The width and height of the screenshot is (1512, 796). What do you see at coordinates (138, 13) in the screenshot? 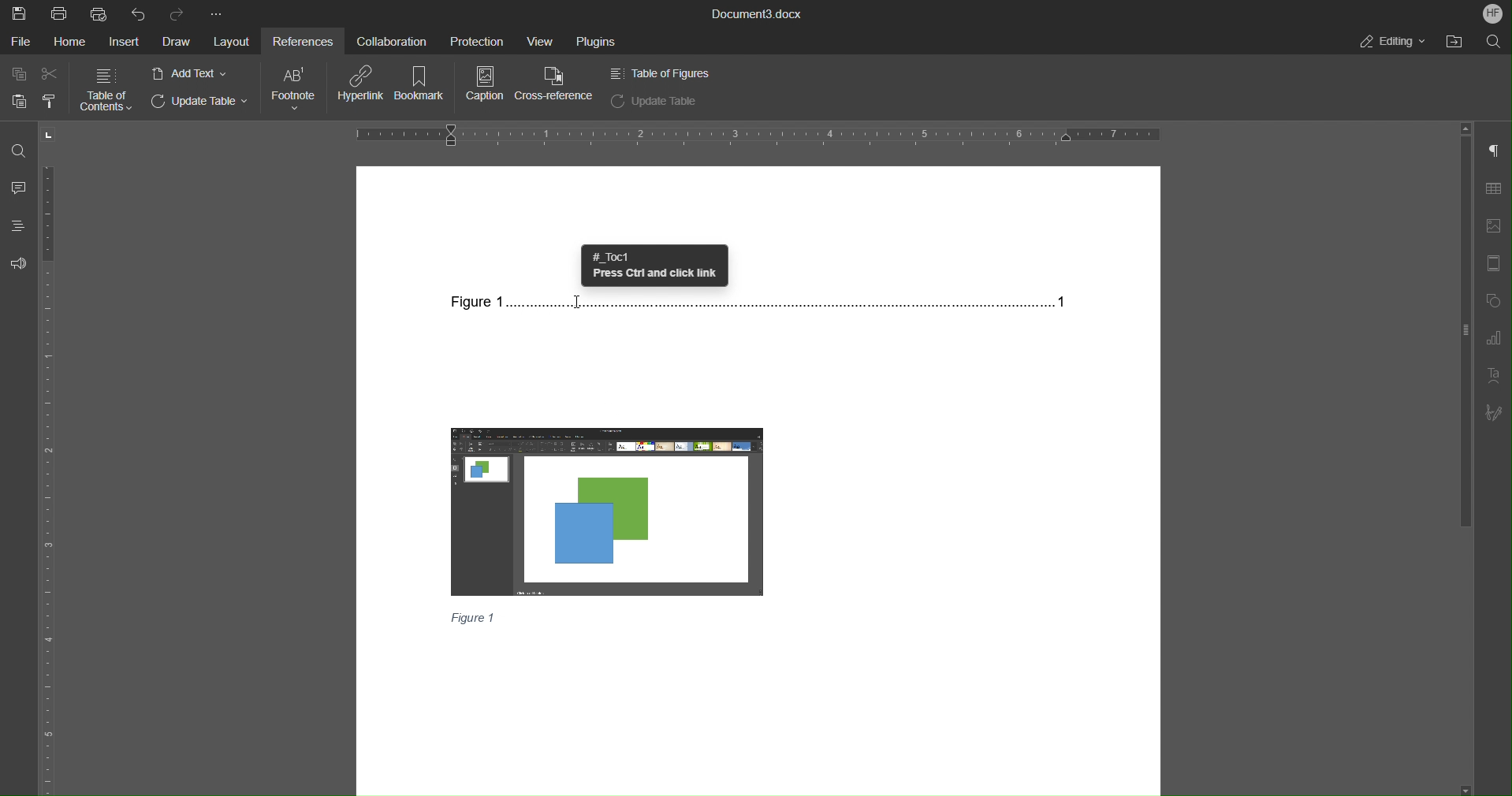
I see `Undo` at bounding box center [138, 13].